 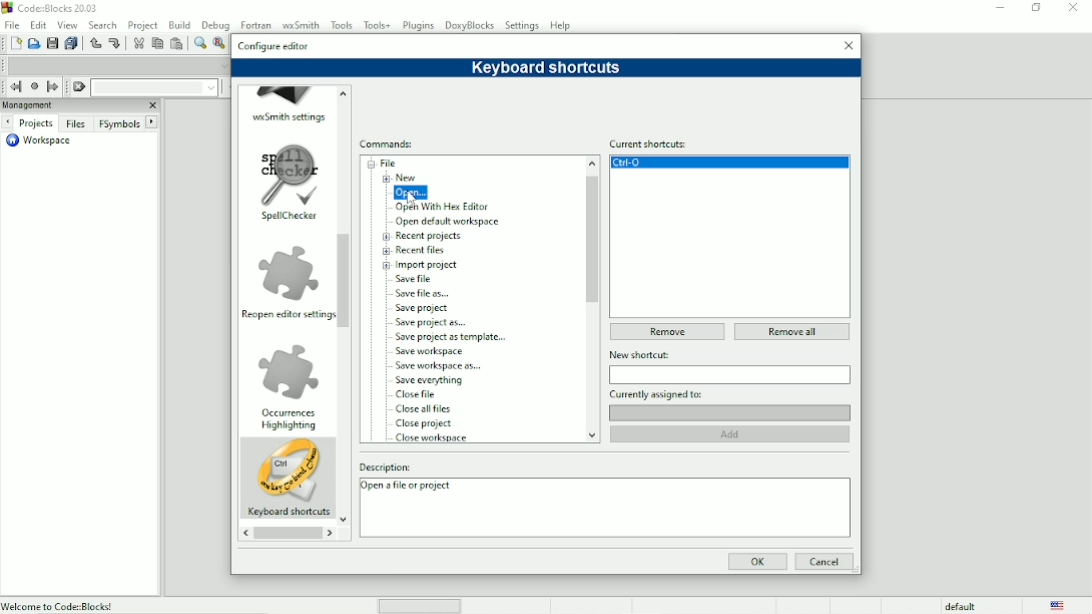 I want to click on Next, so click(x=7, y=123).